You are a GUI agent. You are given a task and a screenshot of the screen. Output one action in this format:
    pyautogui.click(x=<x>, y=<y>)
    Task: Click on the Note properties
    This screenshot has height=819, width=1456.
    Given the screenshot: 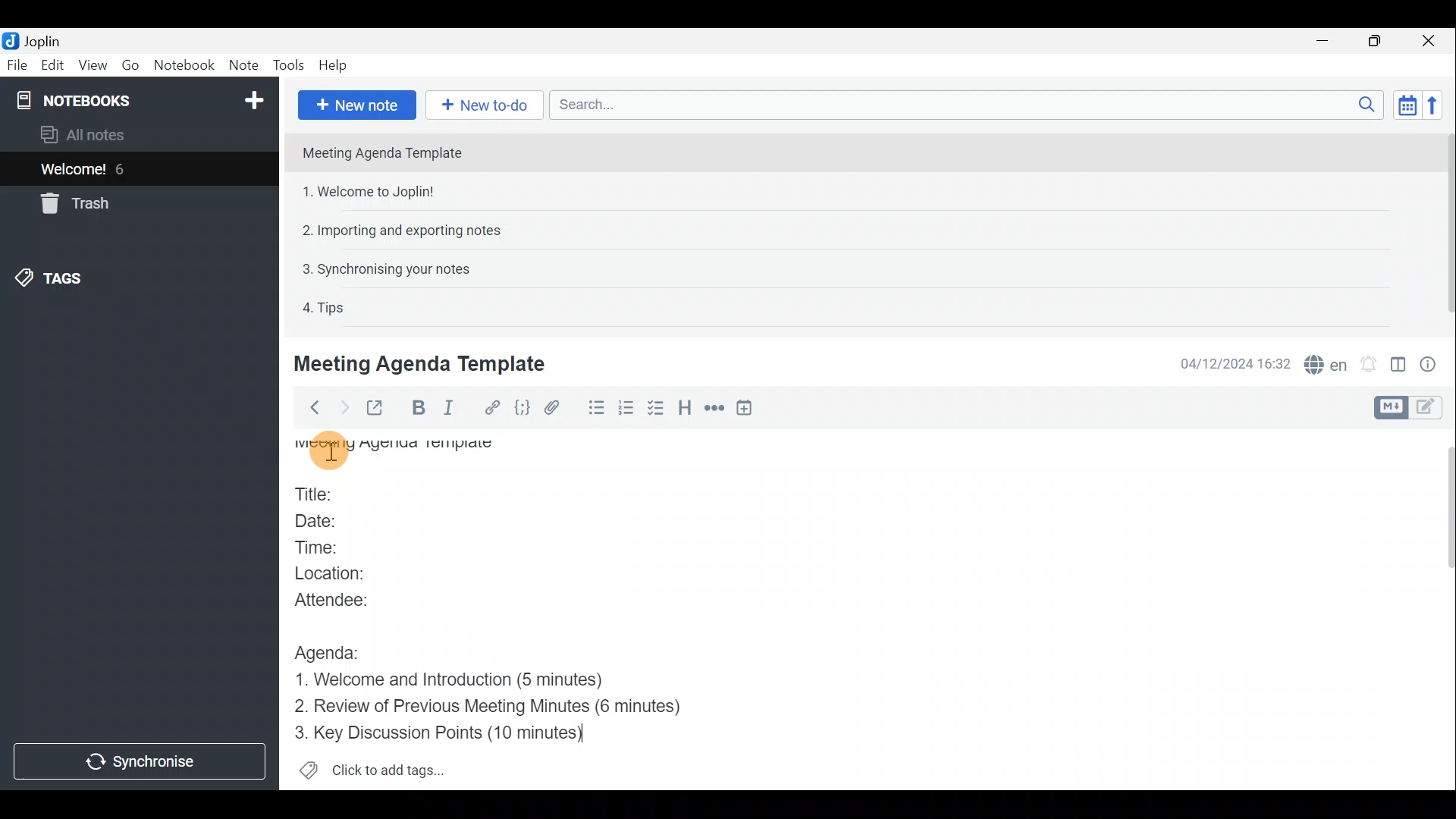 What is the action you would take?
    pyautogui.click(x=1433, y=363)
    